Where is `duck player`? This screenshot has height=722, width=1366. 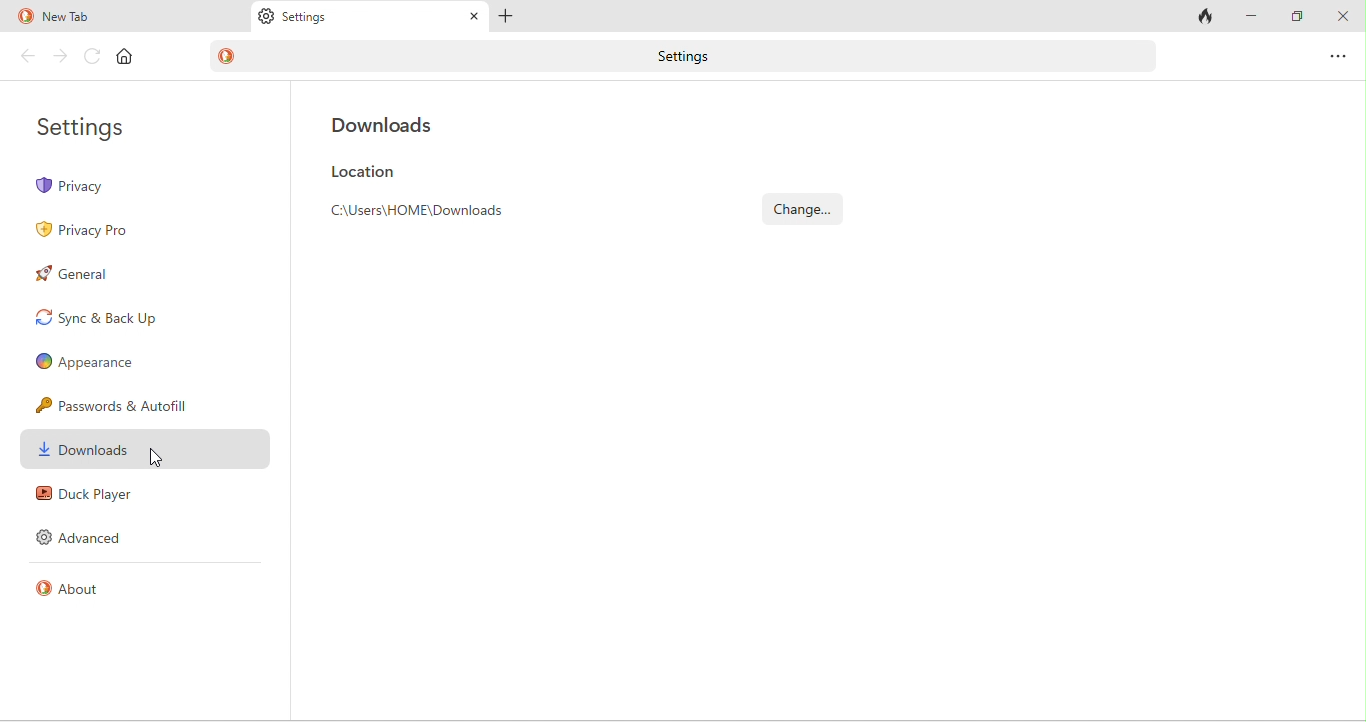
duck player is located at coordinates (85, 496).